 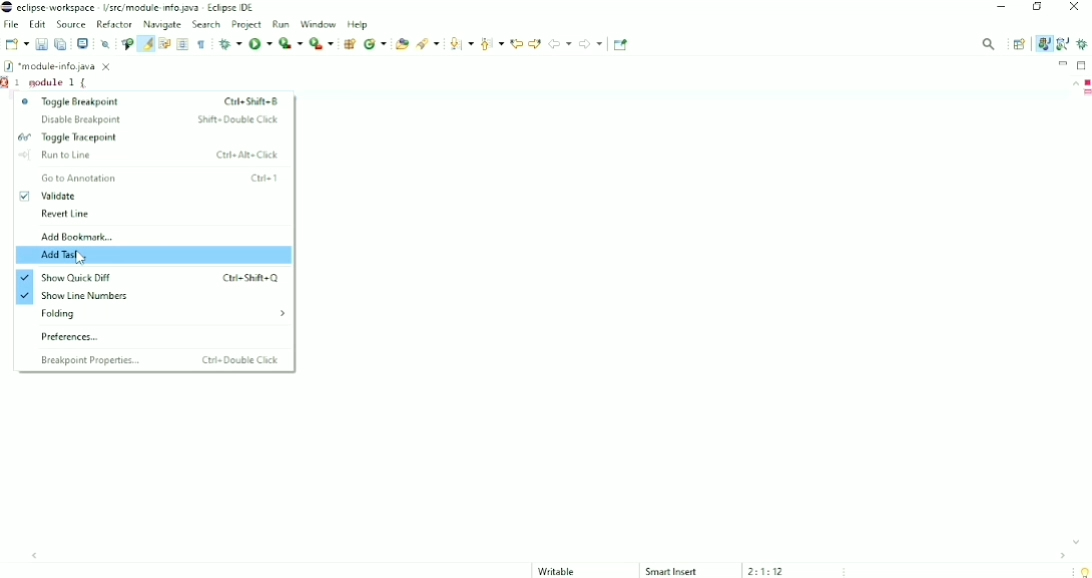 I want to click on Save, so click(x=41, y=44).